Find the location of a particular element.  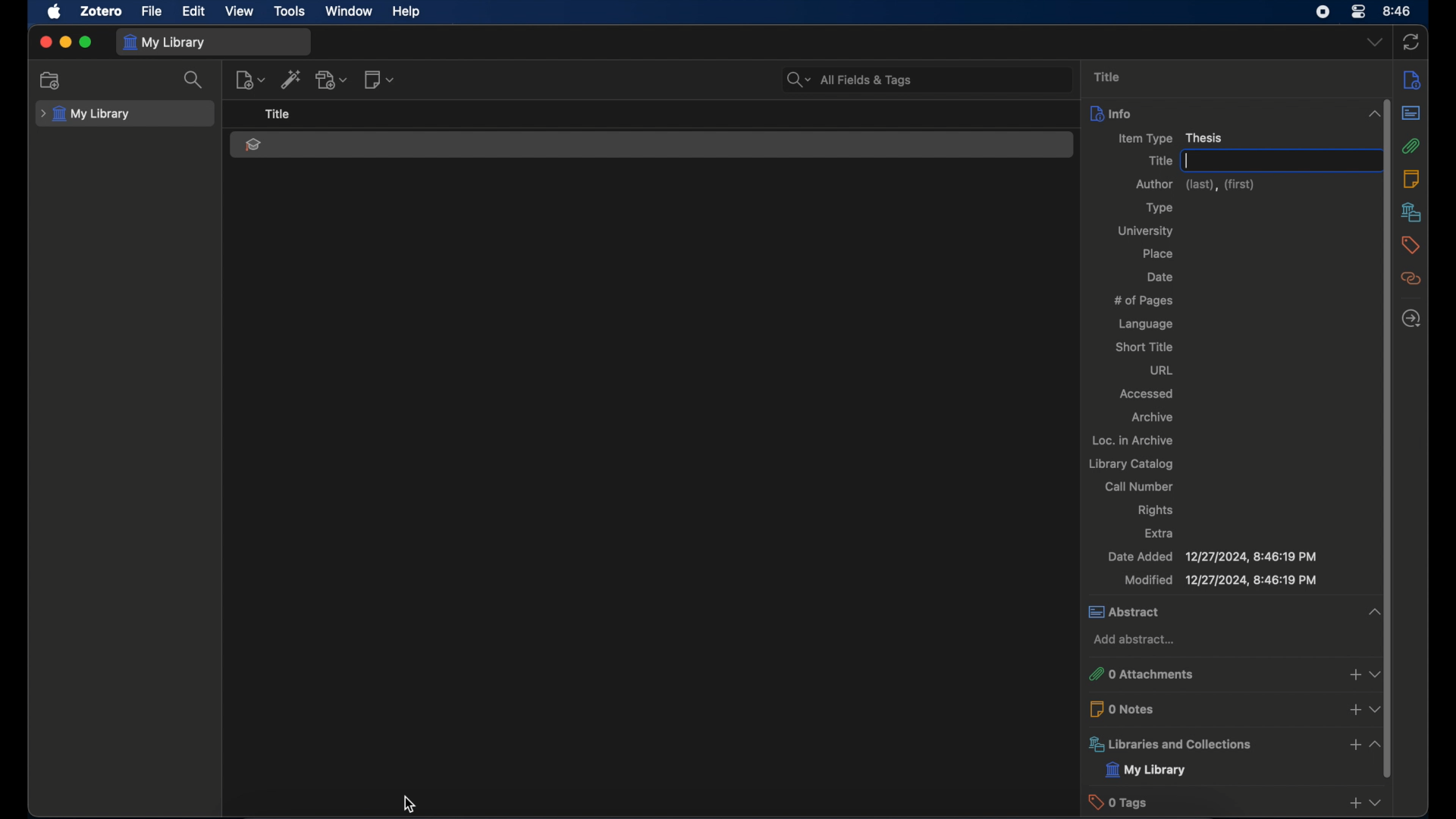

cursor is located at coordinates (414, 802).